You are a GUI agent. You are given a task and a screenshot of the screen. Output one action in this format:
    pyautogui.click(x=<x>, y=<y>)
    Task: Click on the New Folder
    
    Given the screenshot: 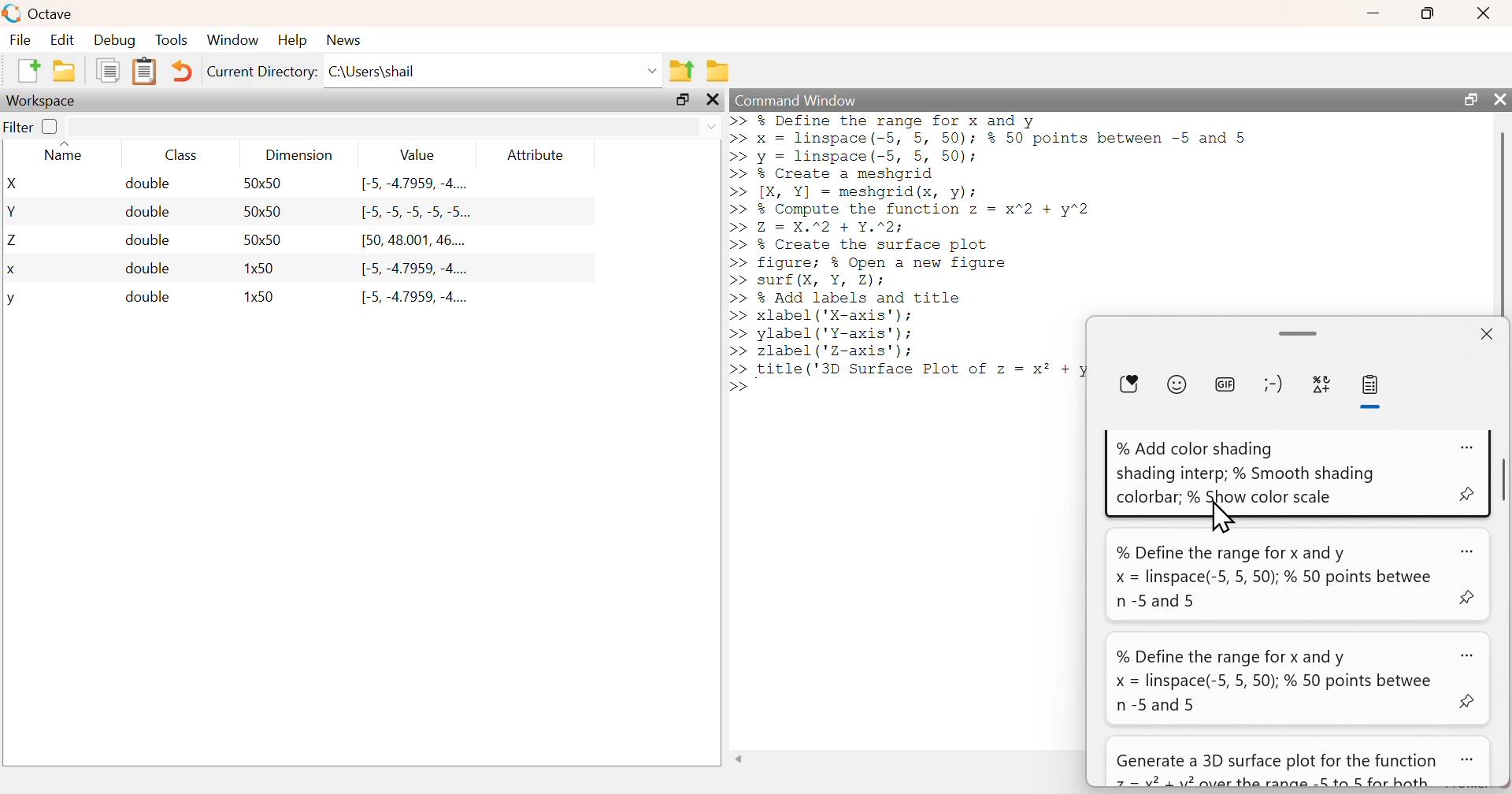 What is the action you would take?
    pyautogui.click(x=65, y=71)
    